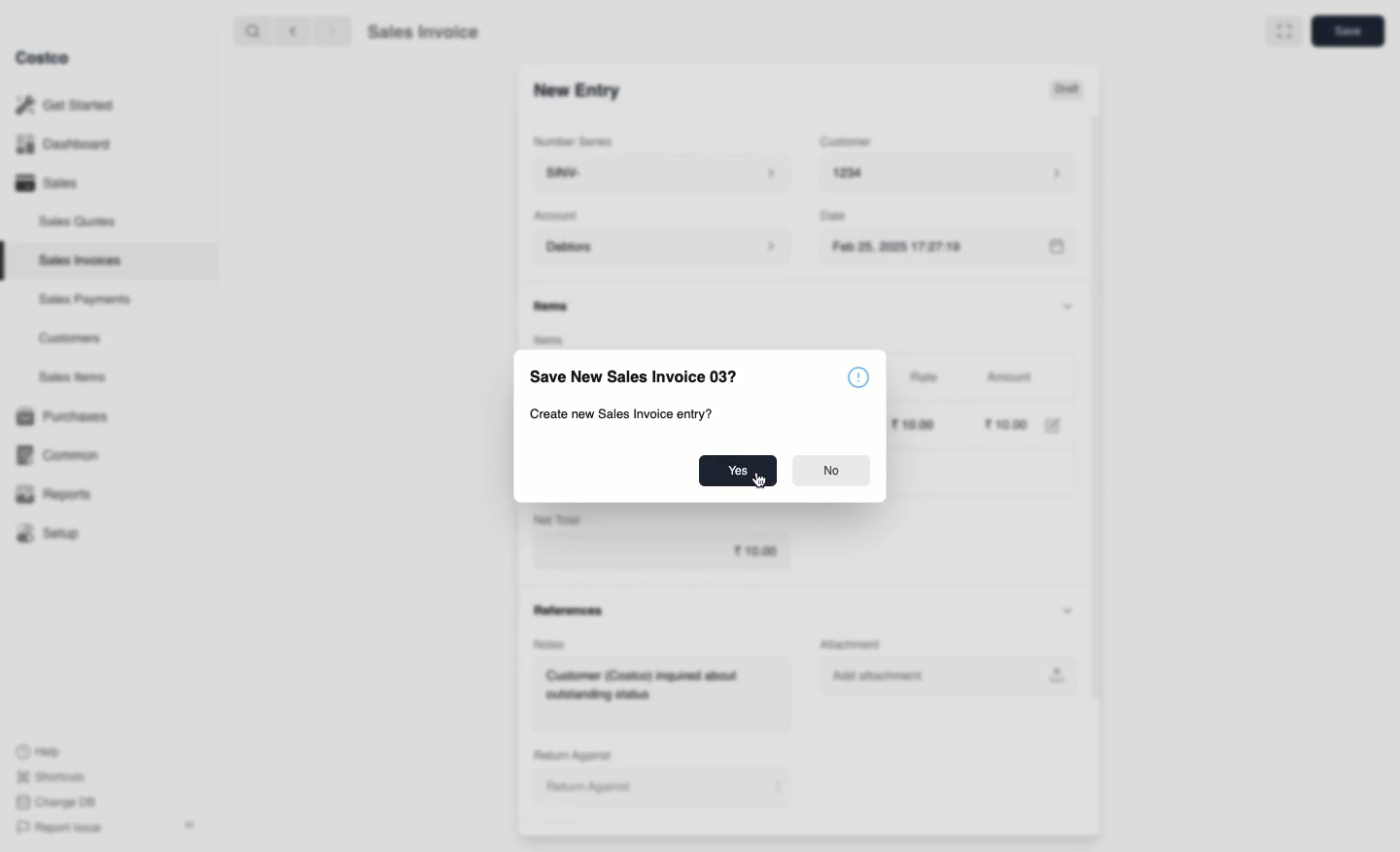 The width and height of the screenshot is (1400, 852). Describe the element at coordinates (556, 304) in the screenshot. I see `` at that location.